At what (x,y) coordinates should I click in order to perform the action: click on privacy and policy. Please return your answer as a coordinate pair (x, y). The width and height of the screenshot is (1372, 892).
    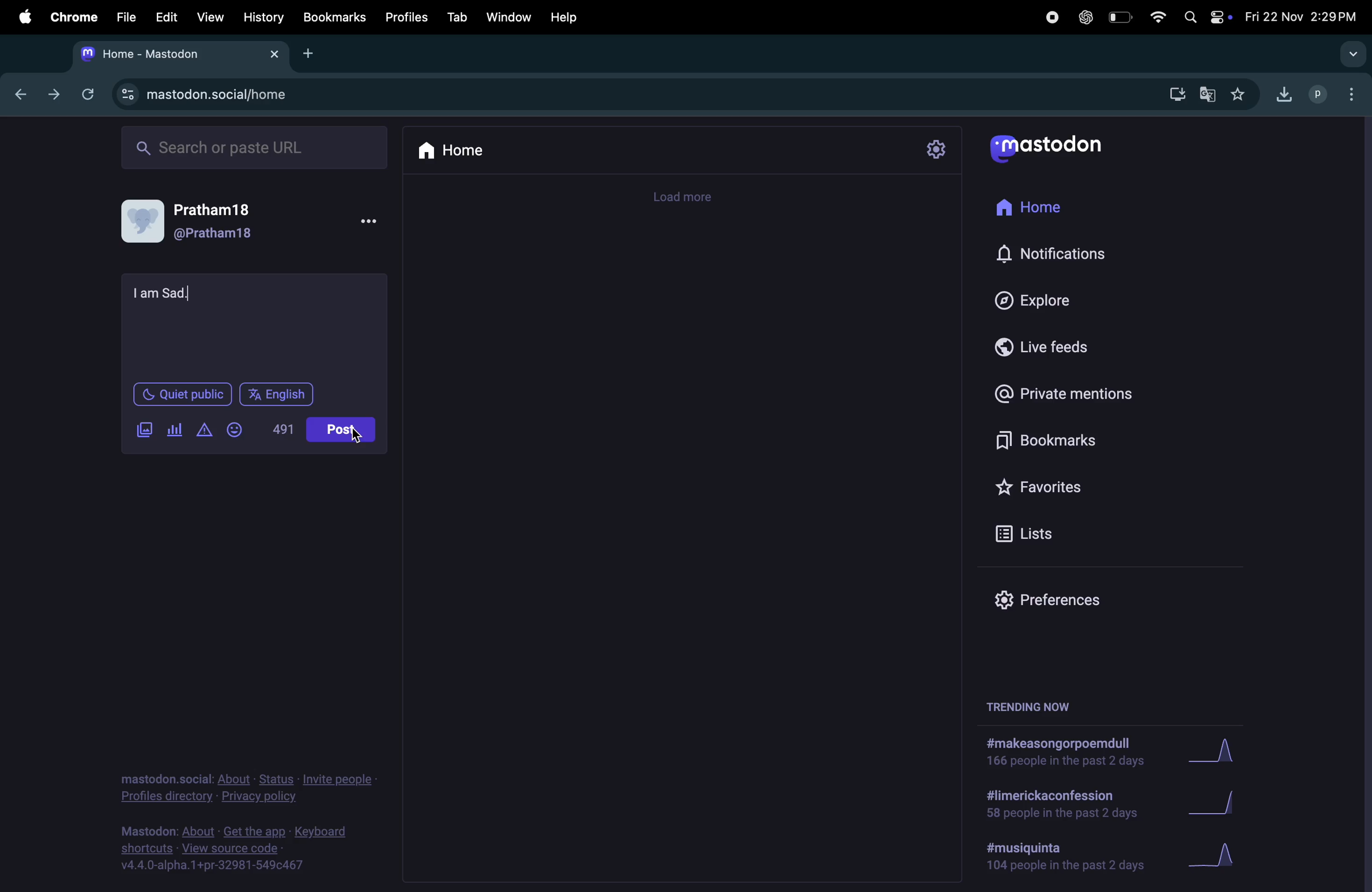
    Looking at the image, I should click on (249, 786).